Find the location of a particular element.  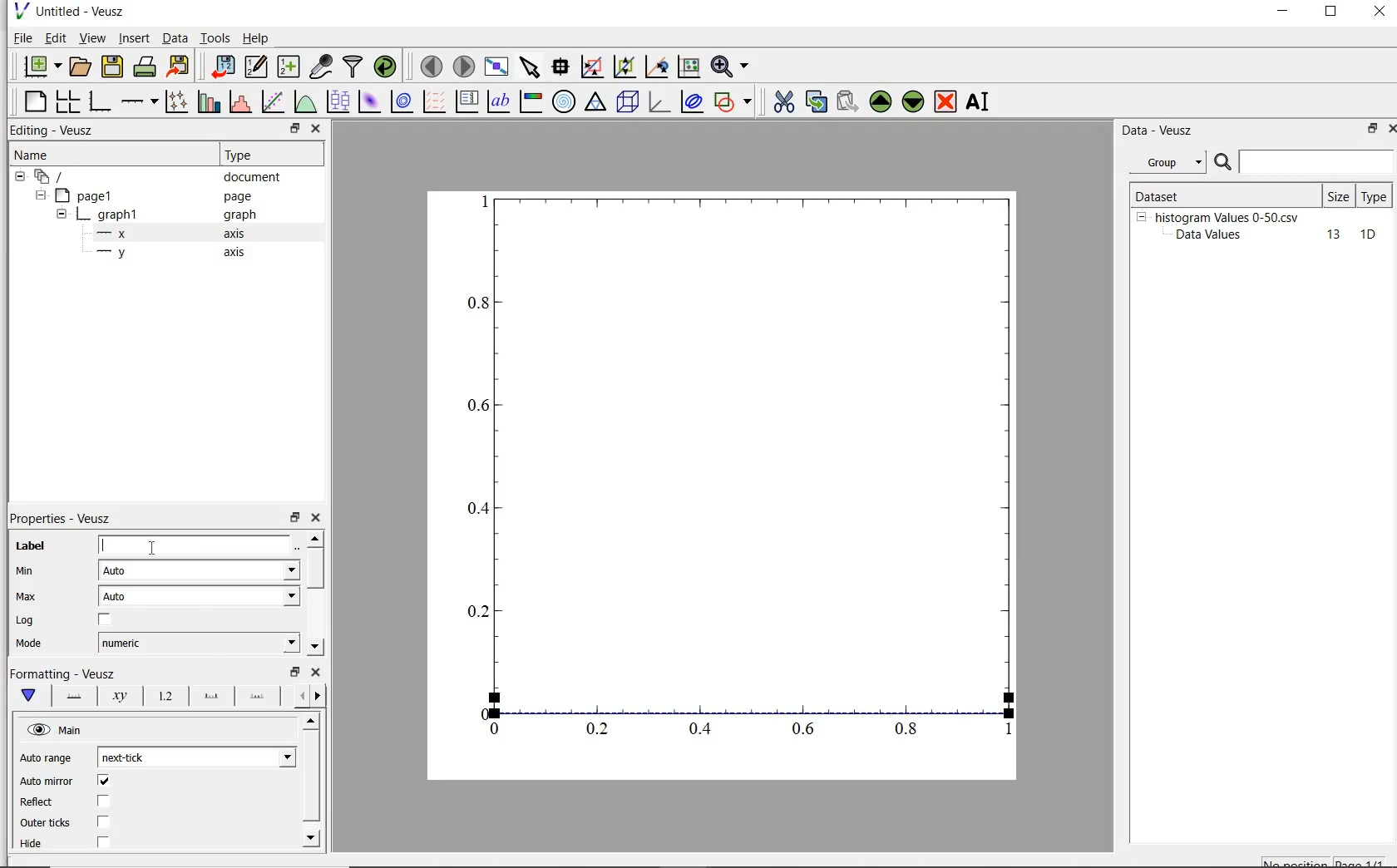

edit and create new datasets is located at coordinates (256, 66).